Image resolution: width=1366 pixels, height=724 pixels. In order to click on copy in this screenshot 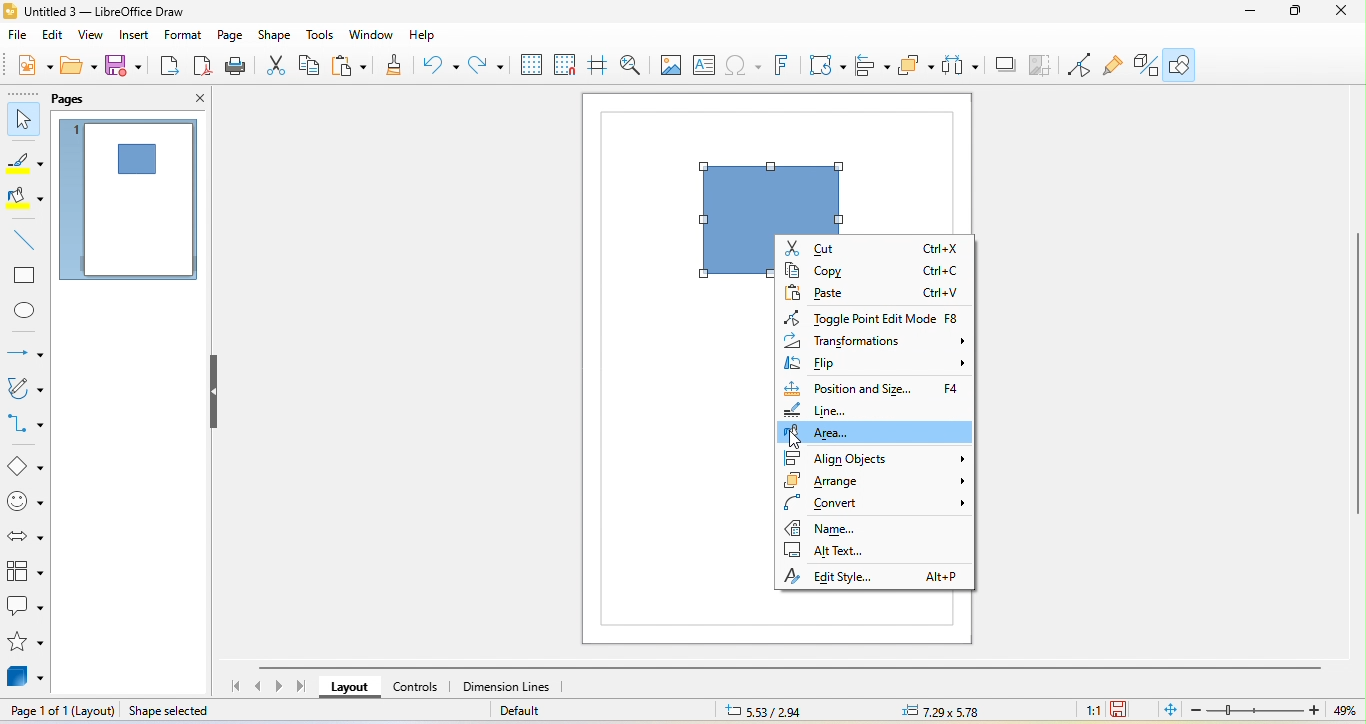, I will do `click(881, 271)`.